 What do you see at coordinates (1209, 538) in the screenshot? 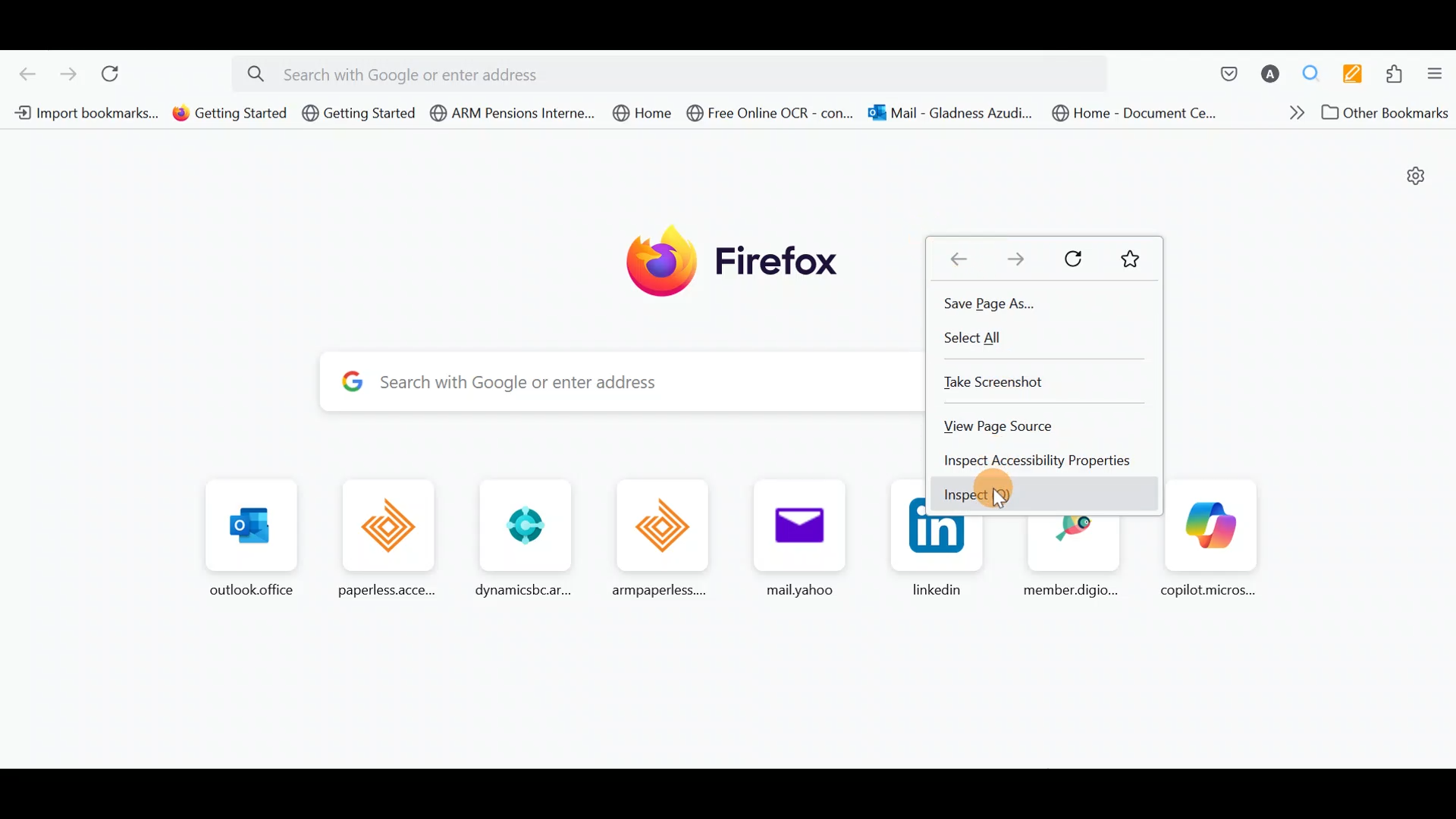
I see `copilot` at bounding box center [1209, 538].